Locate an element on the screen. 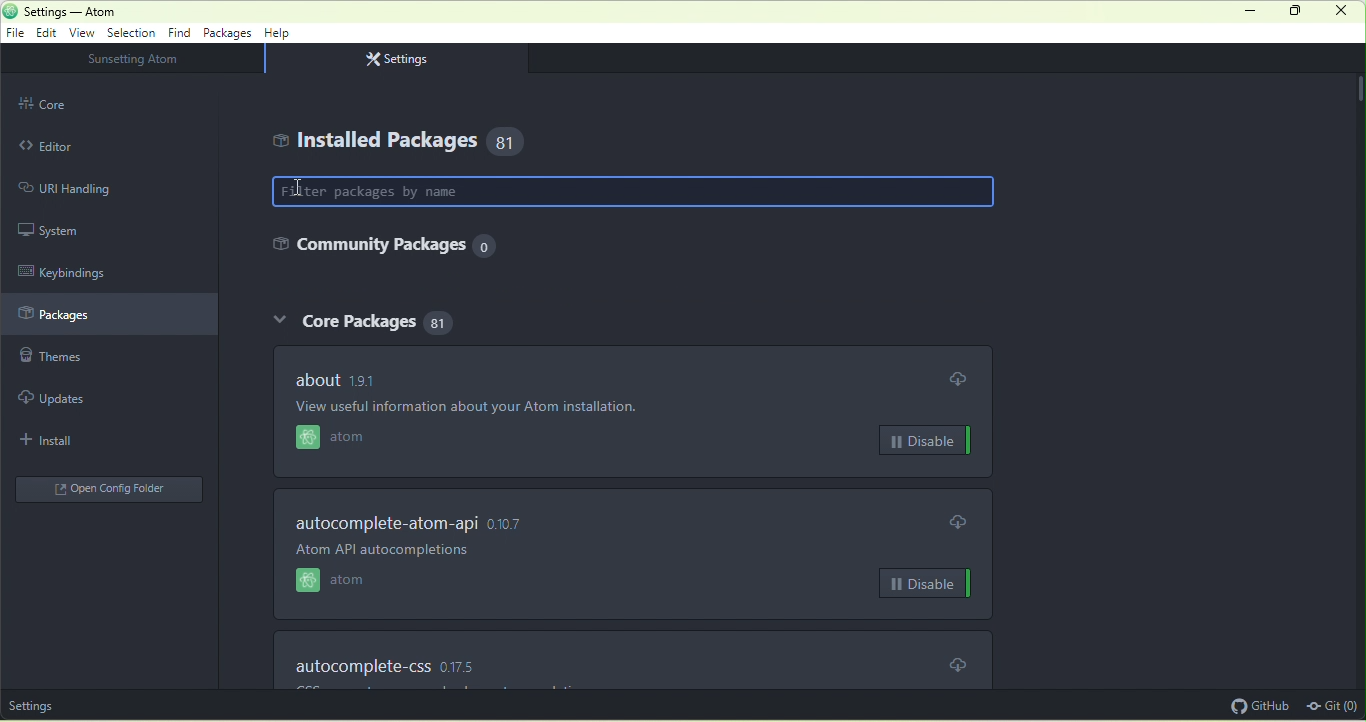 The width and height of the screenshot is (1366, 722). atom is located at coordinates (356, 583).